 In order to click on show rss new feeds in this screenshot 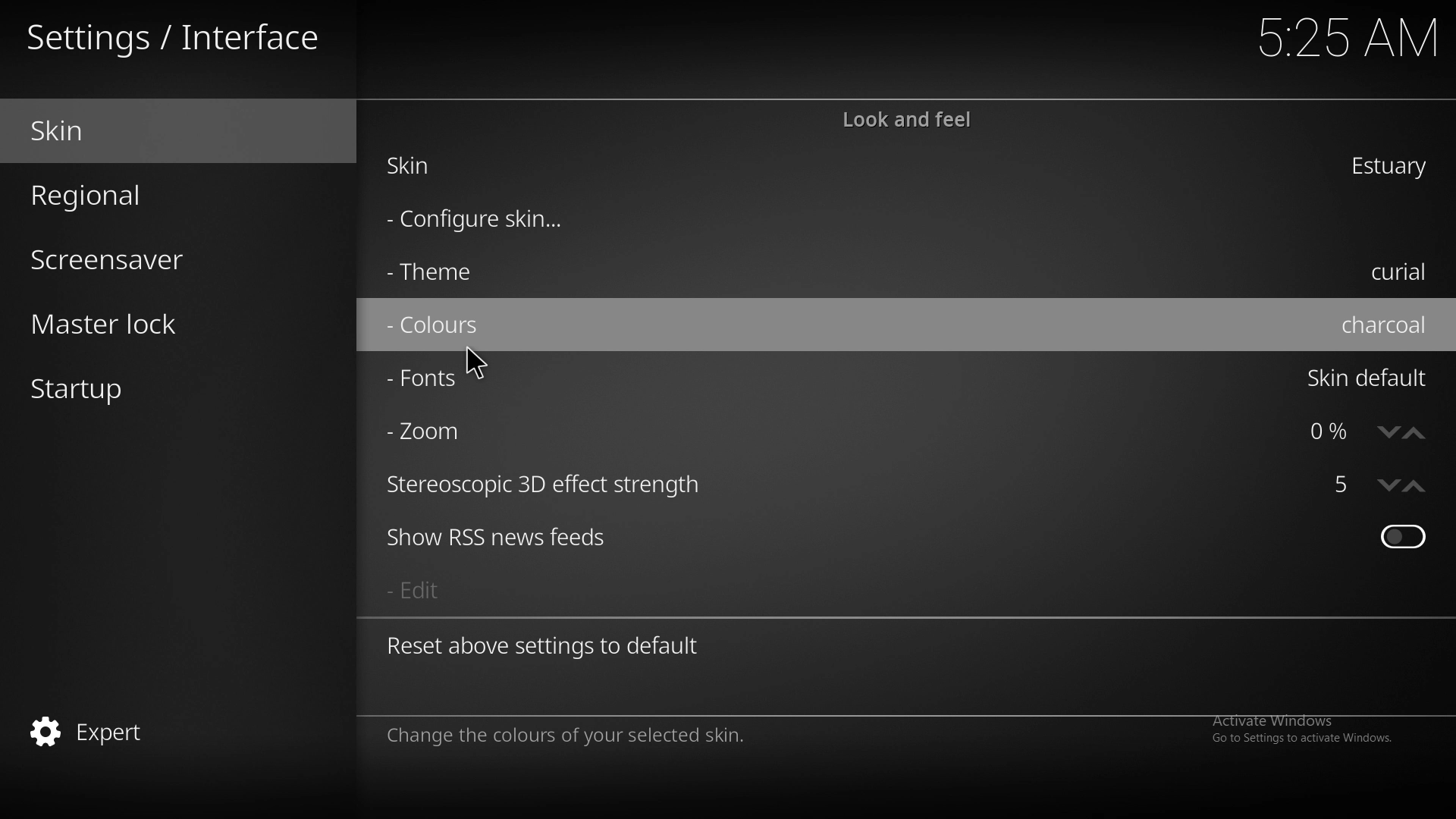, I will do `click(501, 541)`.